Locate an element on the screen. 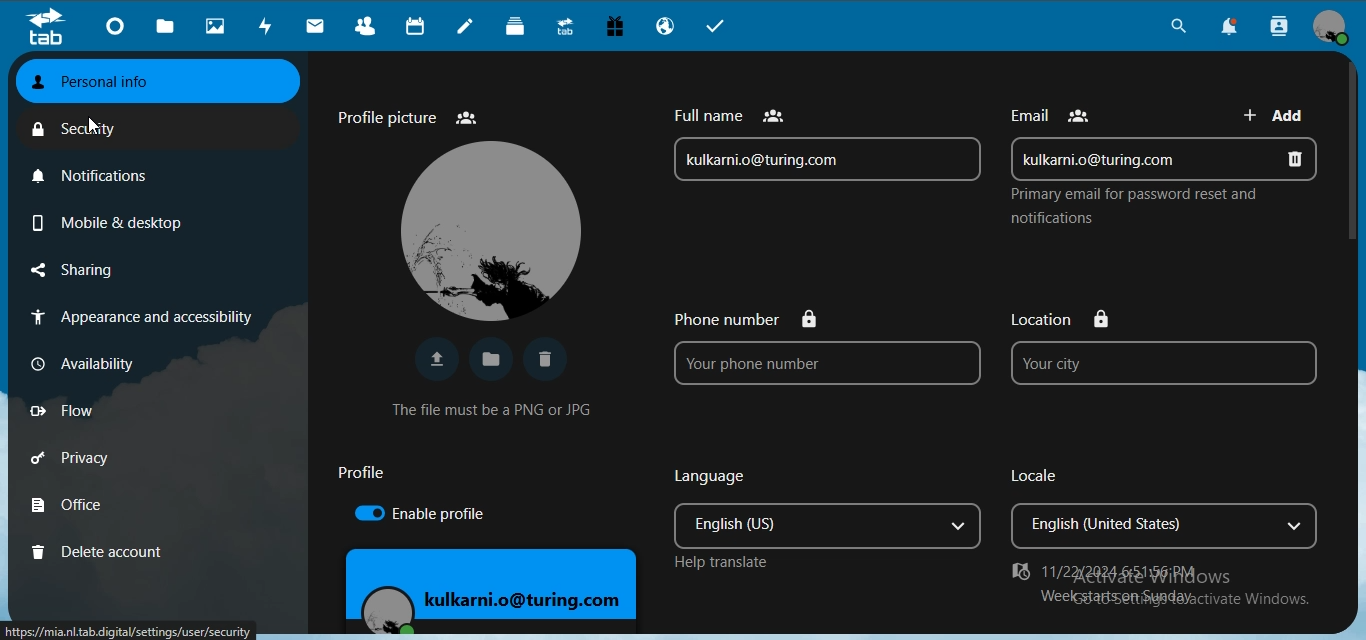  files is located at coordinates (167, 27).